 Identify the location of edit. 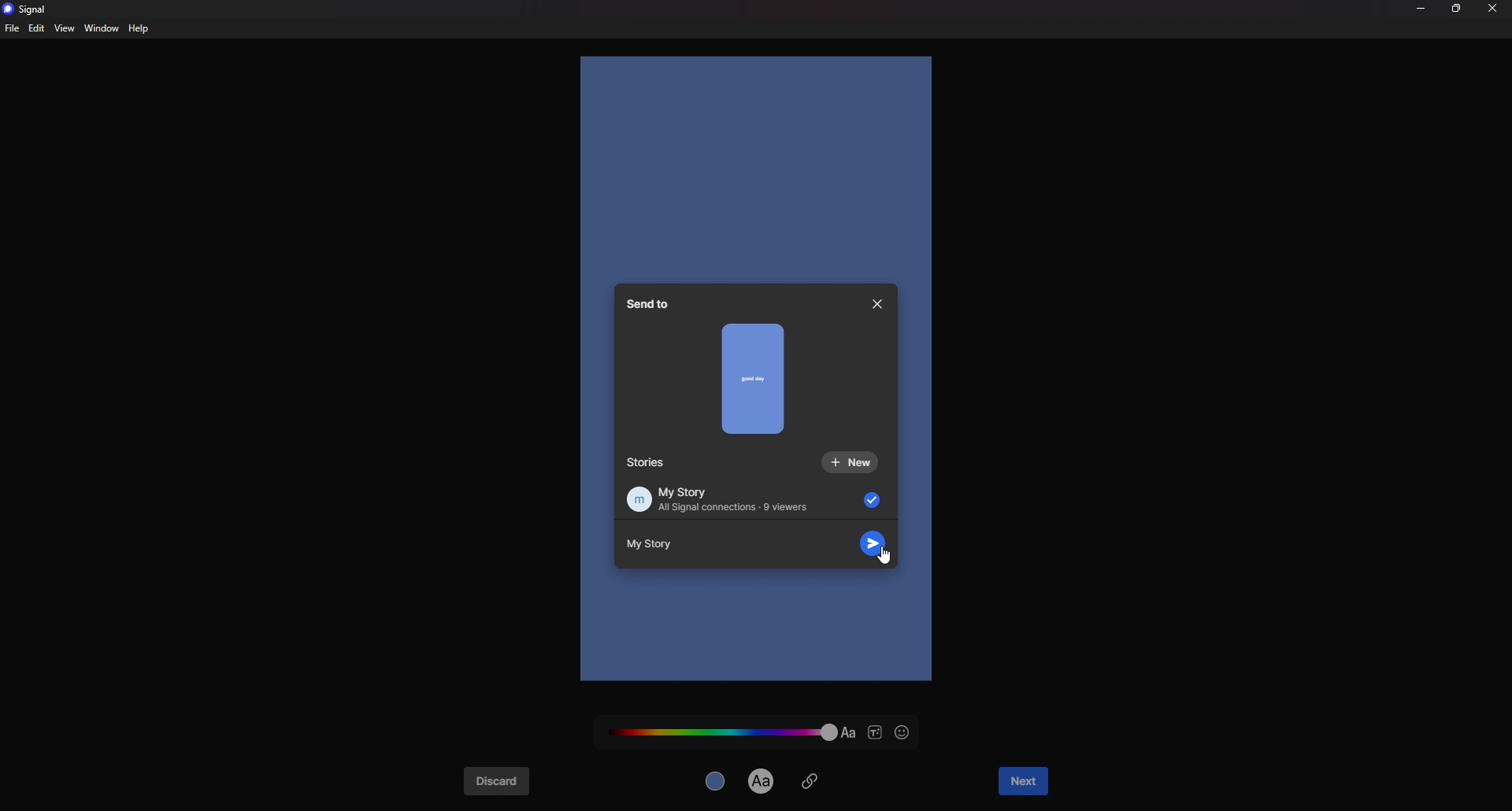
(37, 28).